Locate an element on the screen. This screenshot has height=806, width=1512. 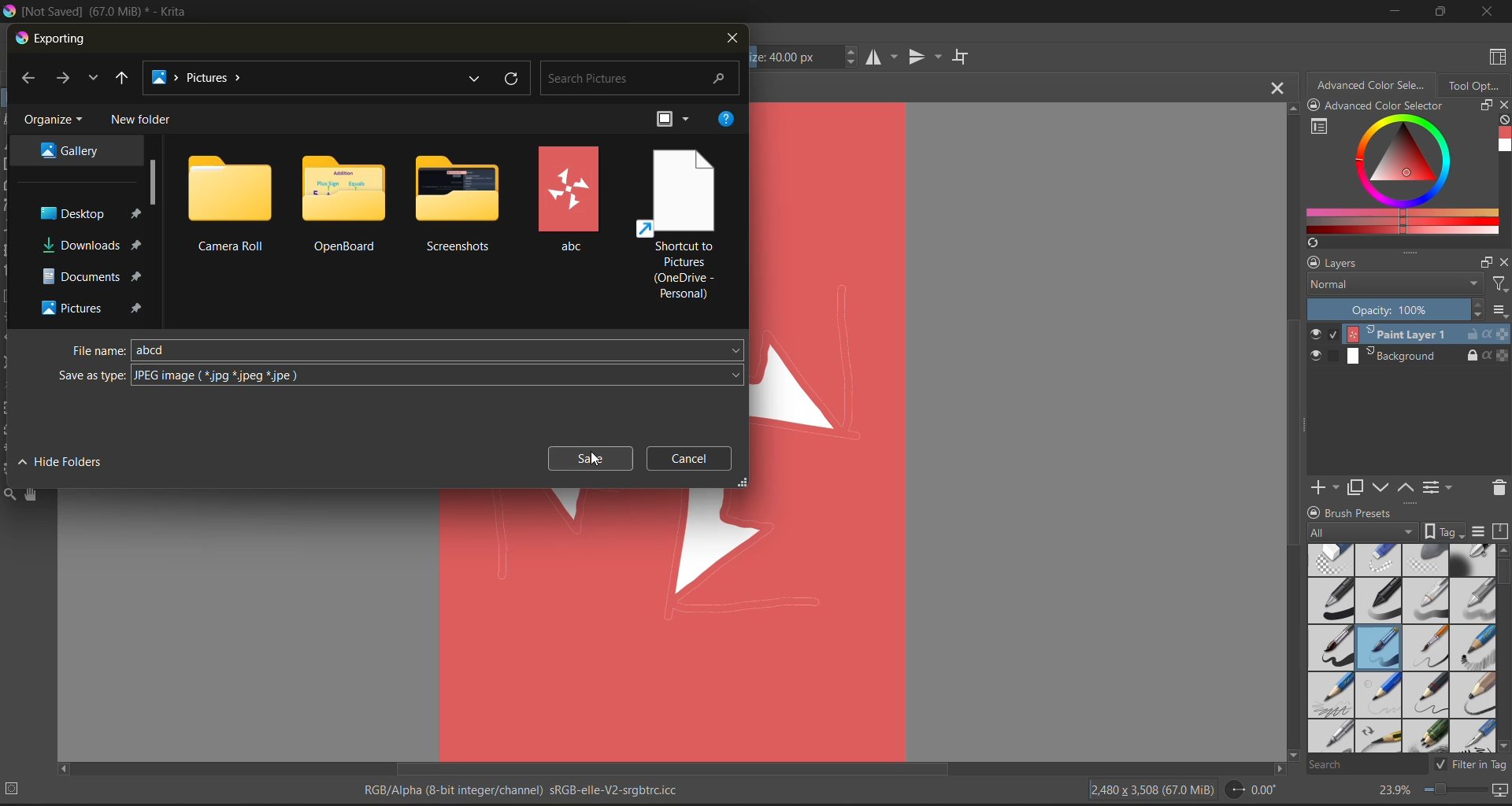
folders and files is located at coordinates (678, 224).